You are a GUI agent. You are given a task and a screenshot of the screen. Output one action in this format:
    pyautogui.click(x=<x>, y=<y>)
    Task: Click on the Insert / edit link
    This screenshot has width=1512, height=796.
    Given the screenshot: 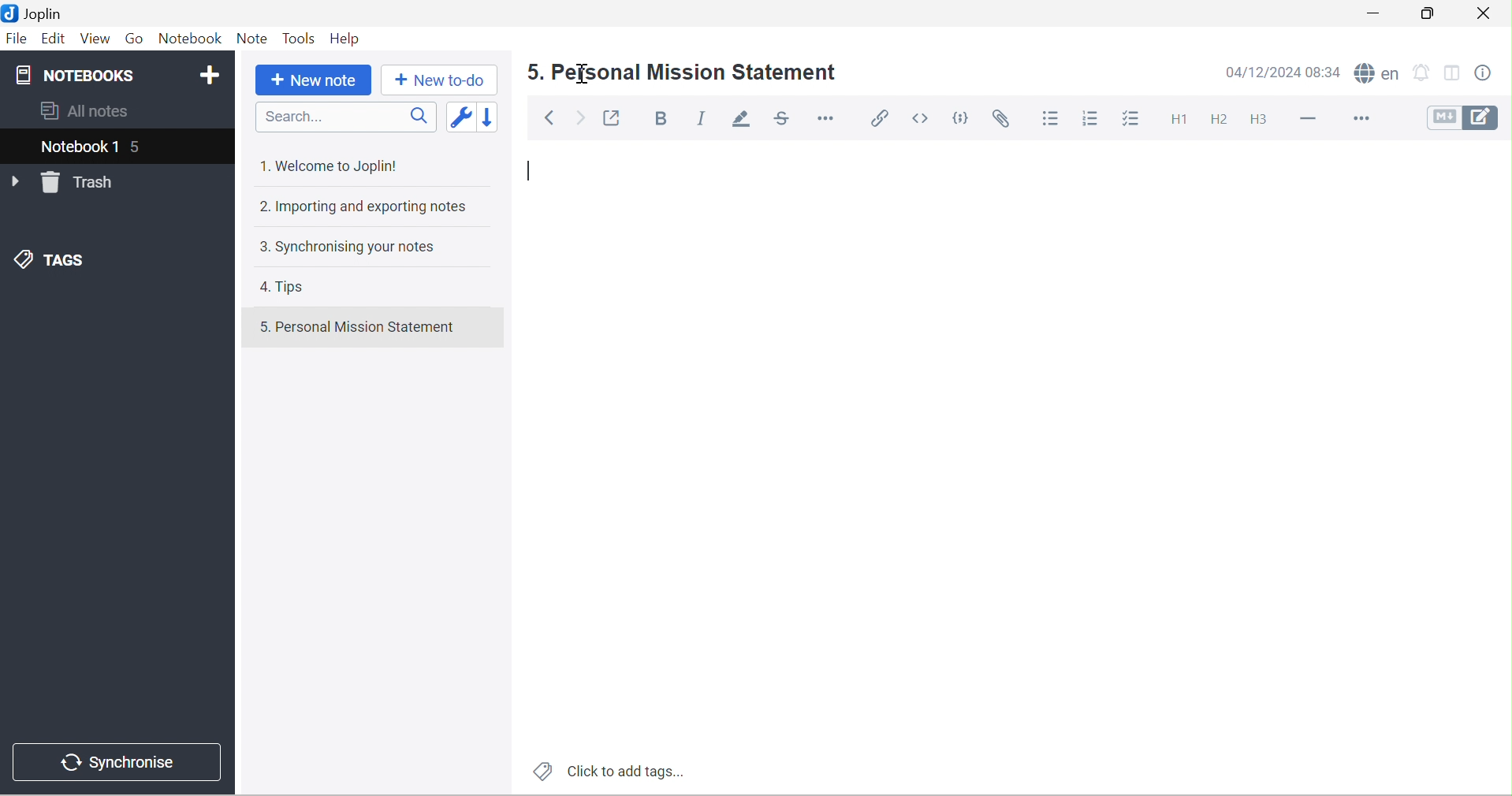 What is the action you would take?
    pyautogui.click(x=879, y=117)
    